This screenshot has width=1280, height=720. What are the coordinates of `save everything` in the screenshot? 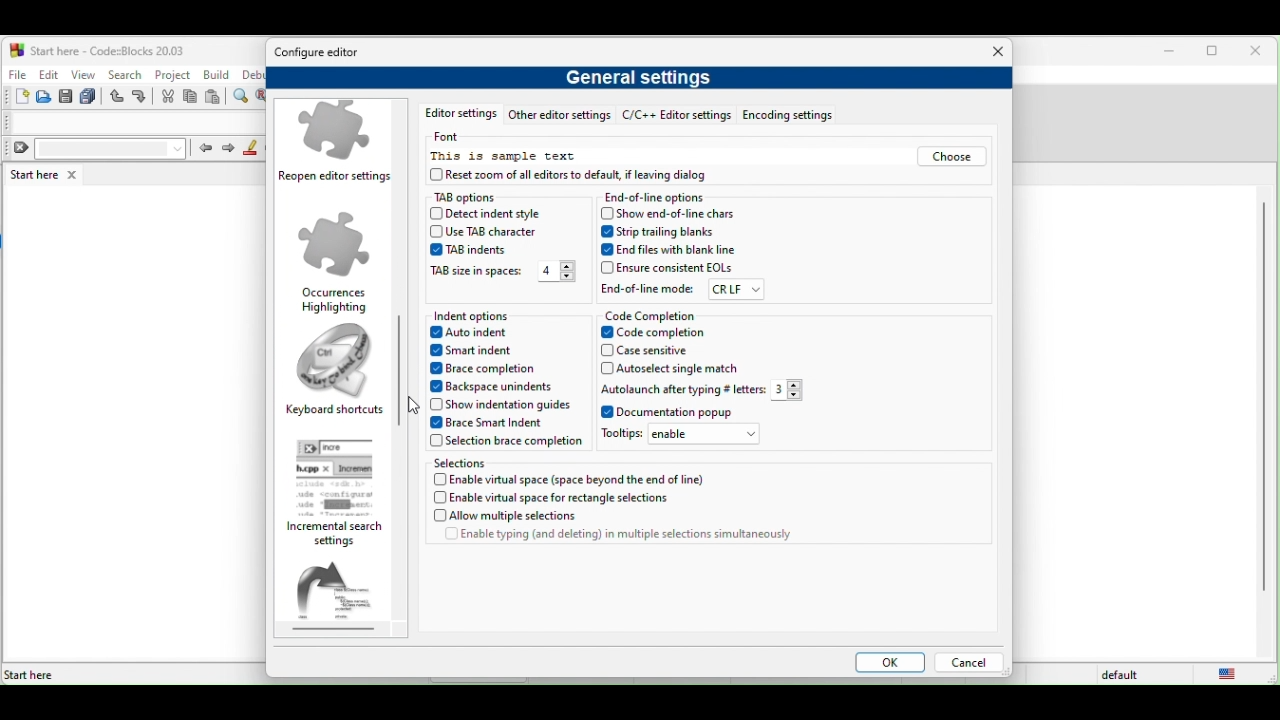 It's located at (90, 97).